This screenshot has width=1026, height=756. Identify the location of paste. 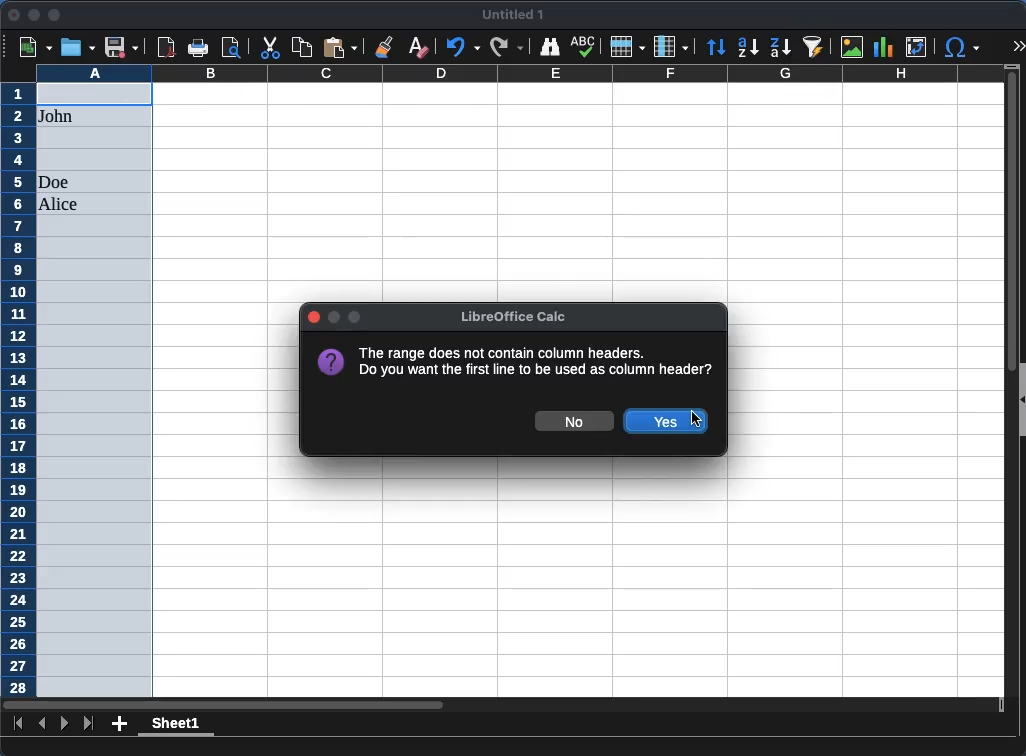
(340, 47).